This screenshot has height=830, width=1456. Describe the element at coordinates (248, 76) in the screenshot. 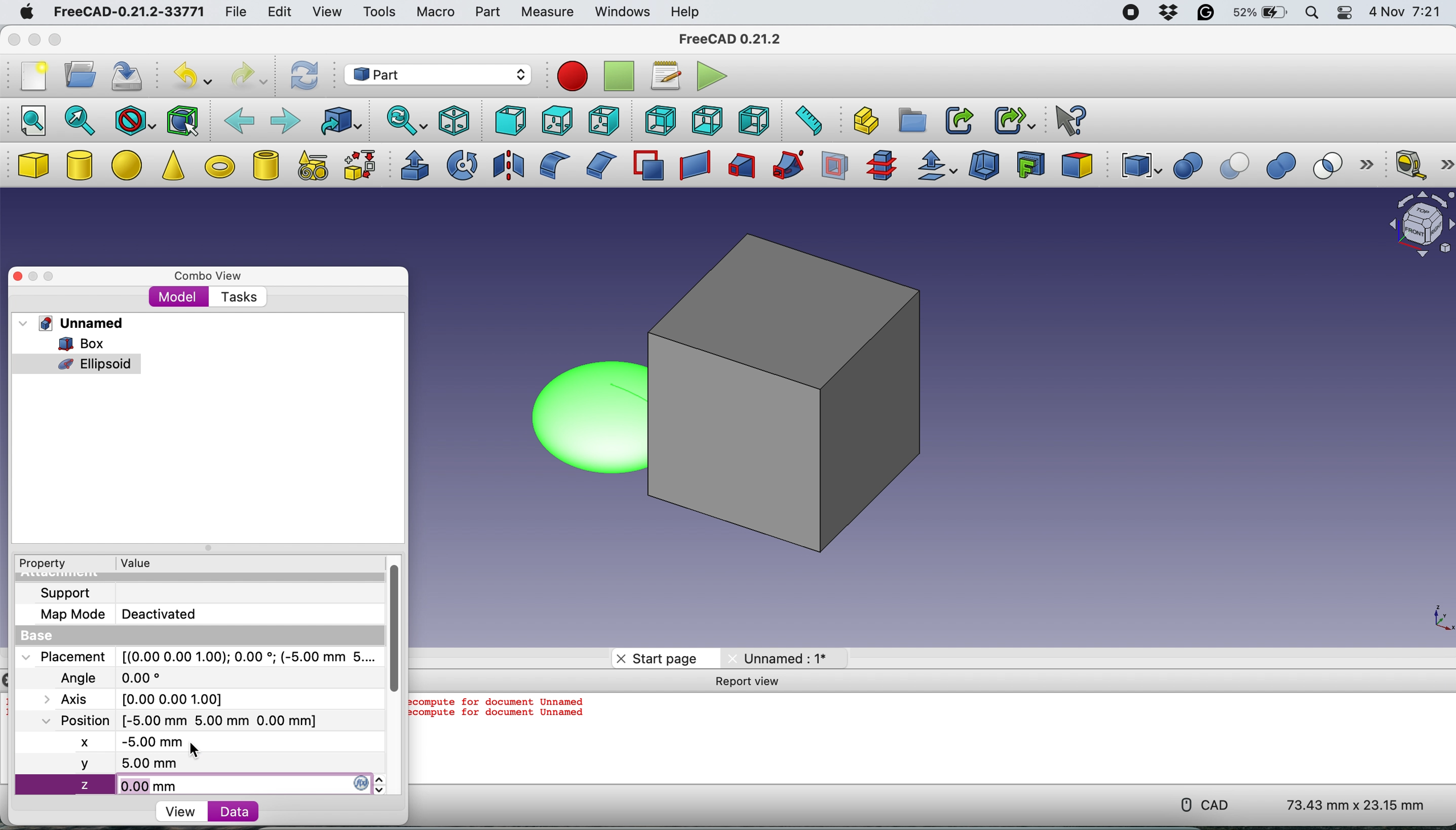

I see `redo` at that location.